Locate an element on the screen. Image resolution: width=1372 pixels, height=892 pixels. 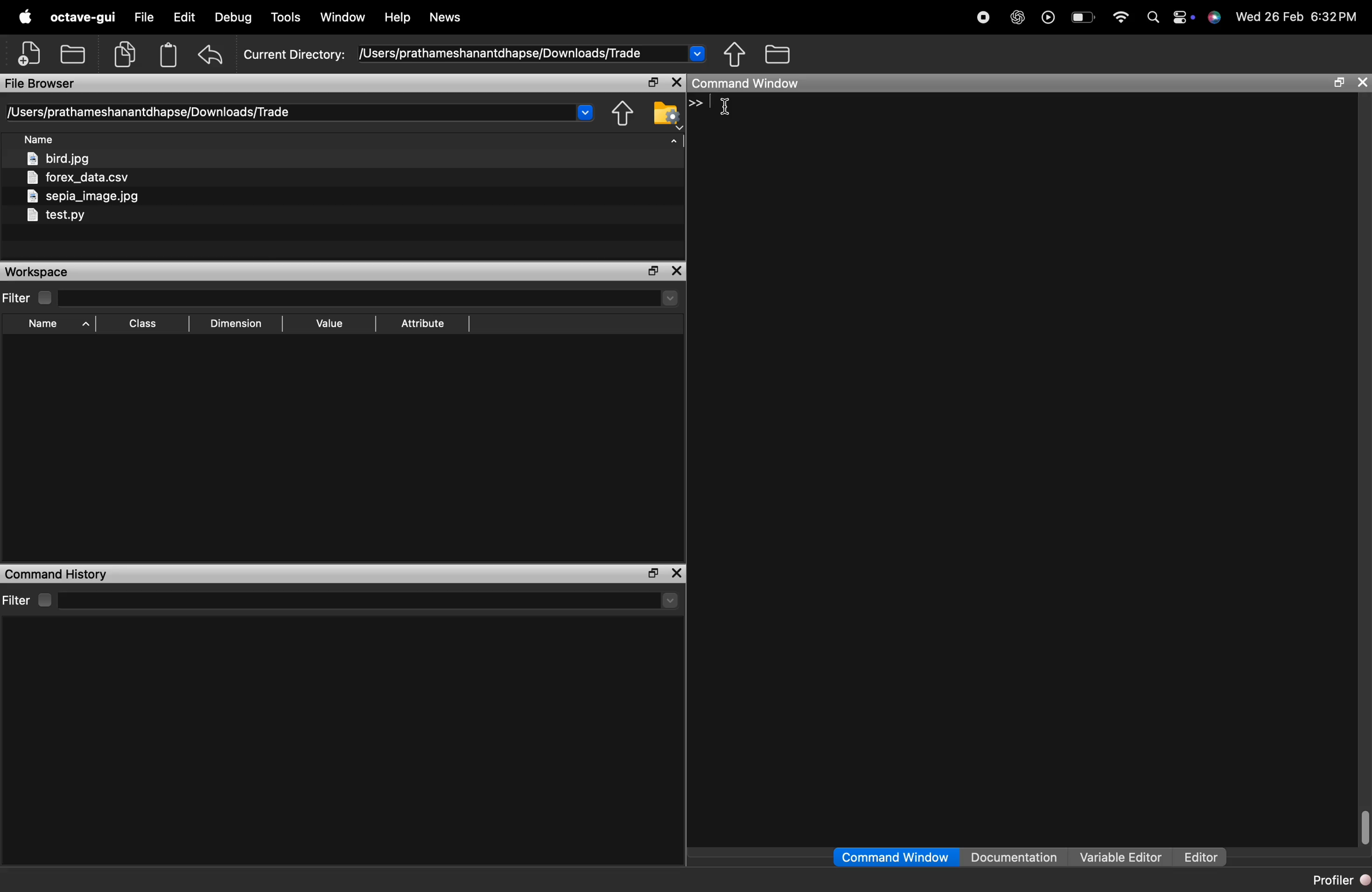
select directory is located at coordinates (375, 299).